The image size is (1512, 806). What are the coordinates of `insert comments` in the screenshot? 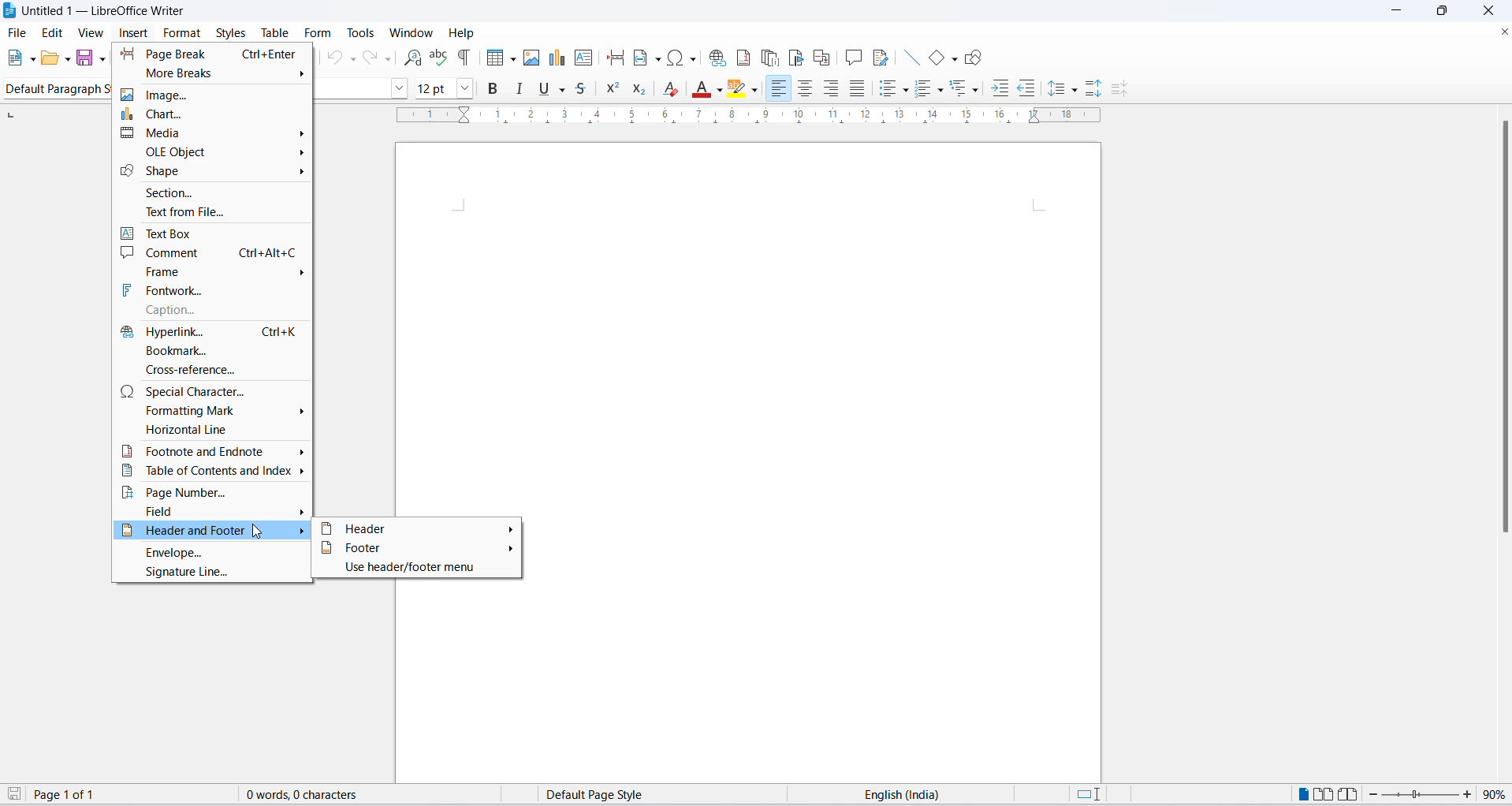 It's located at (852, 55).